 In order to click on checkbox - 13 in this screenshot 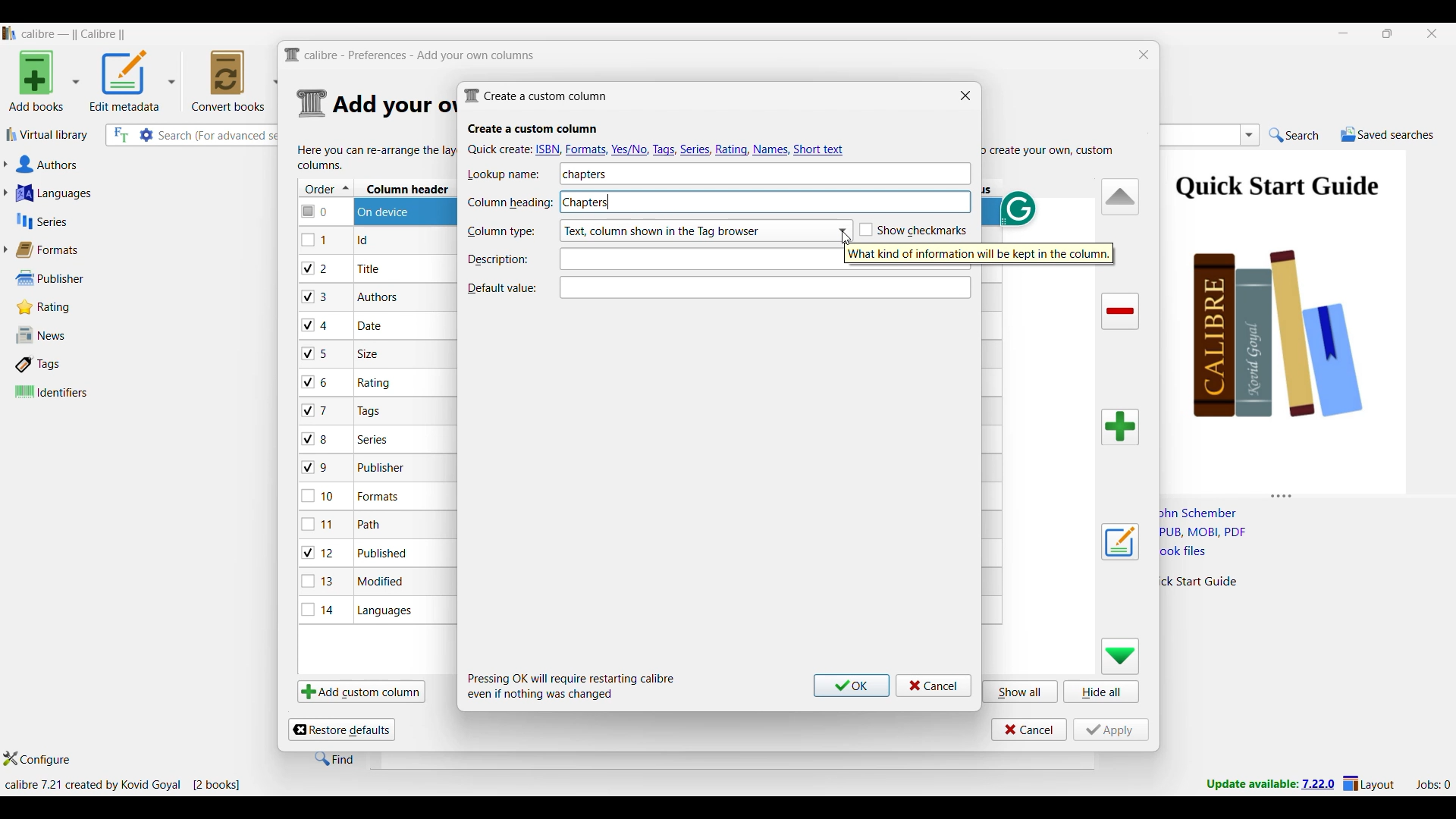, I will do `click(318, 581)`.